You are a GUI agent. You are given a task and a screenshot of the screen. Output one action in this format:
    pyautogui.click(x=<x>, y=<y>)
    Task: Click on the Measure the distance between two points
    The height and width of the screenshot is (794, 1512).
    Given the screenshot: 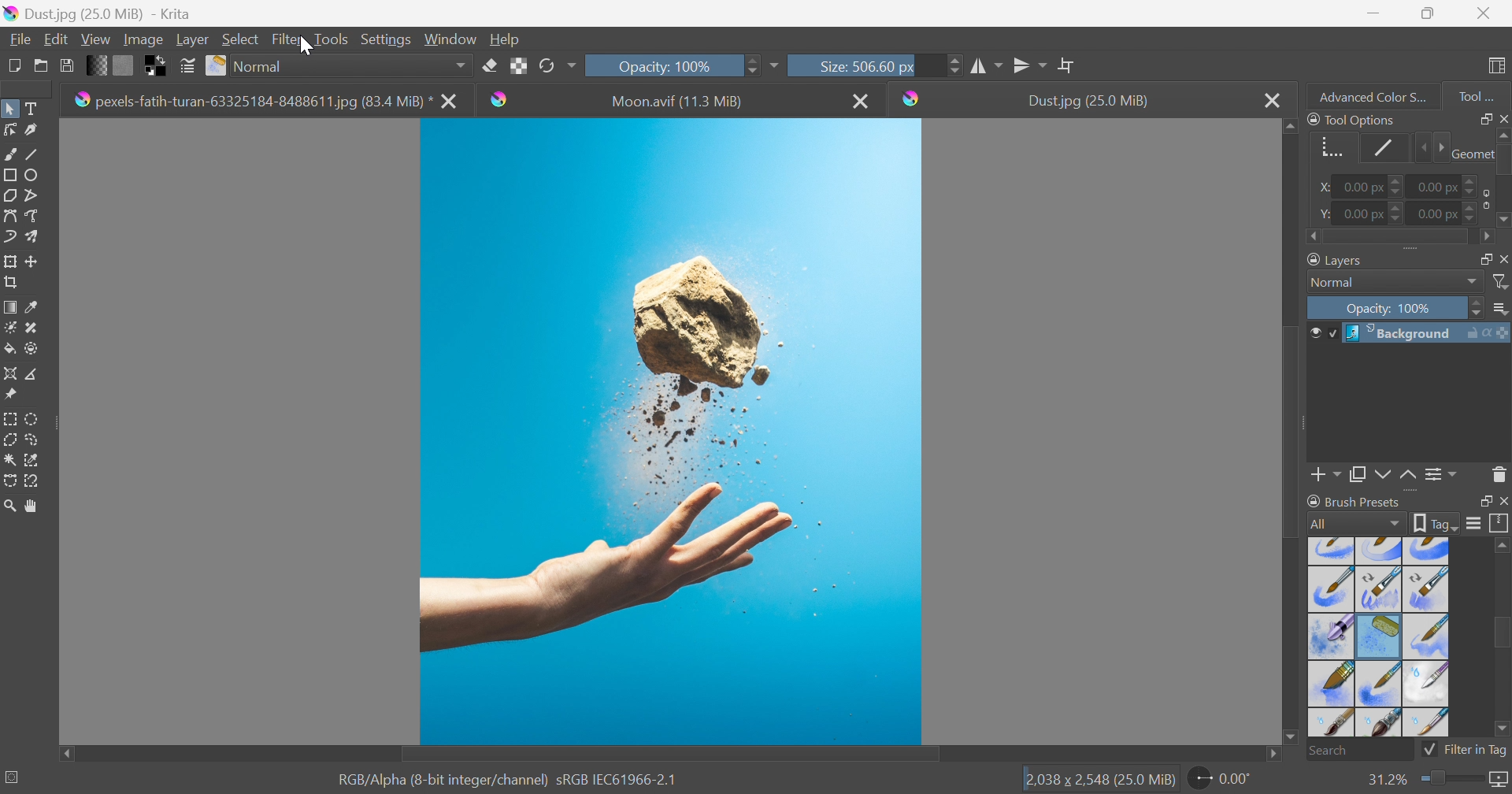 What is the action you would take?
    pyautogui.click(x=33, y=375)
    